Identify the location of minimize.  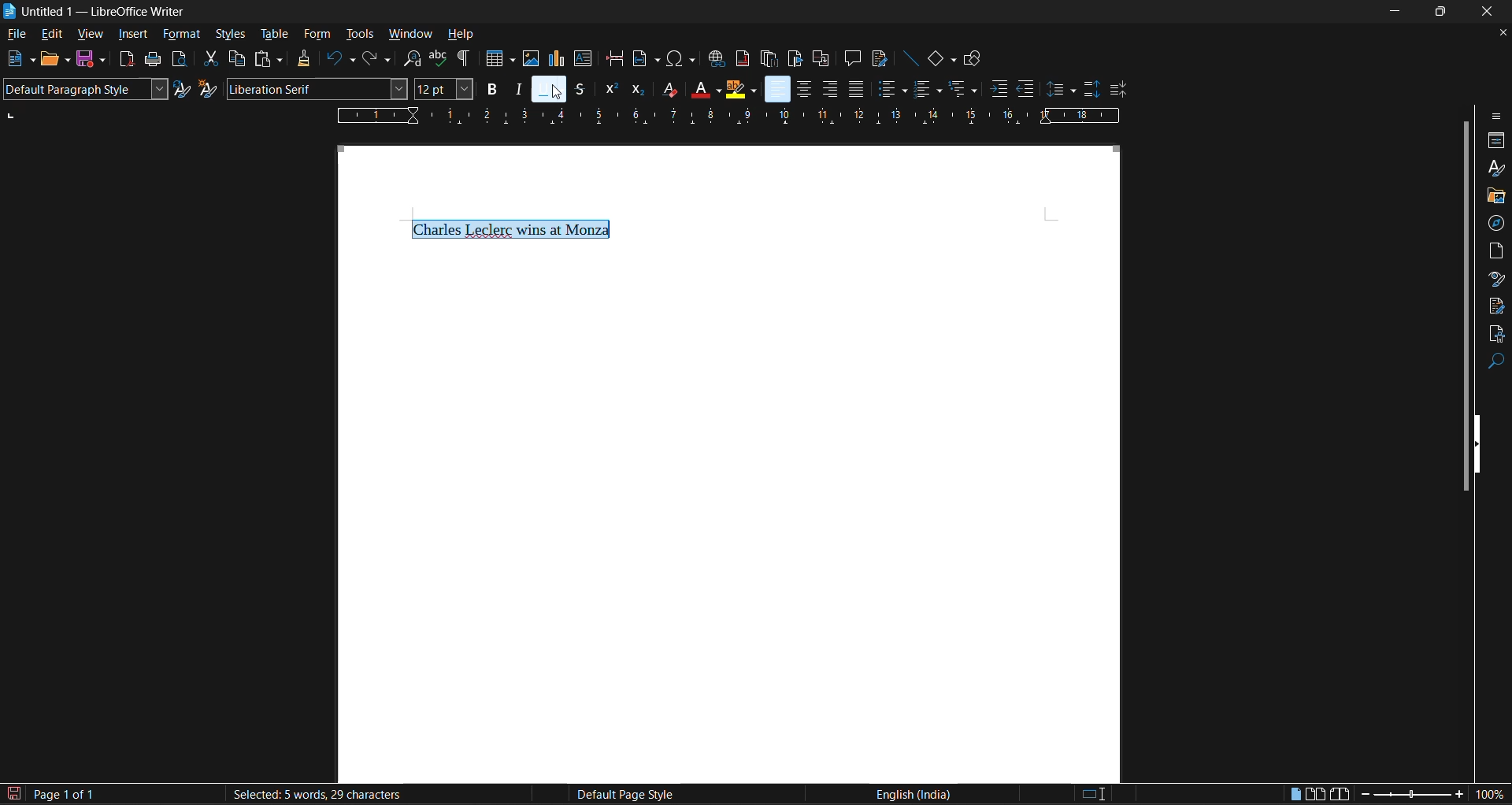
(1397, 9).